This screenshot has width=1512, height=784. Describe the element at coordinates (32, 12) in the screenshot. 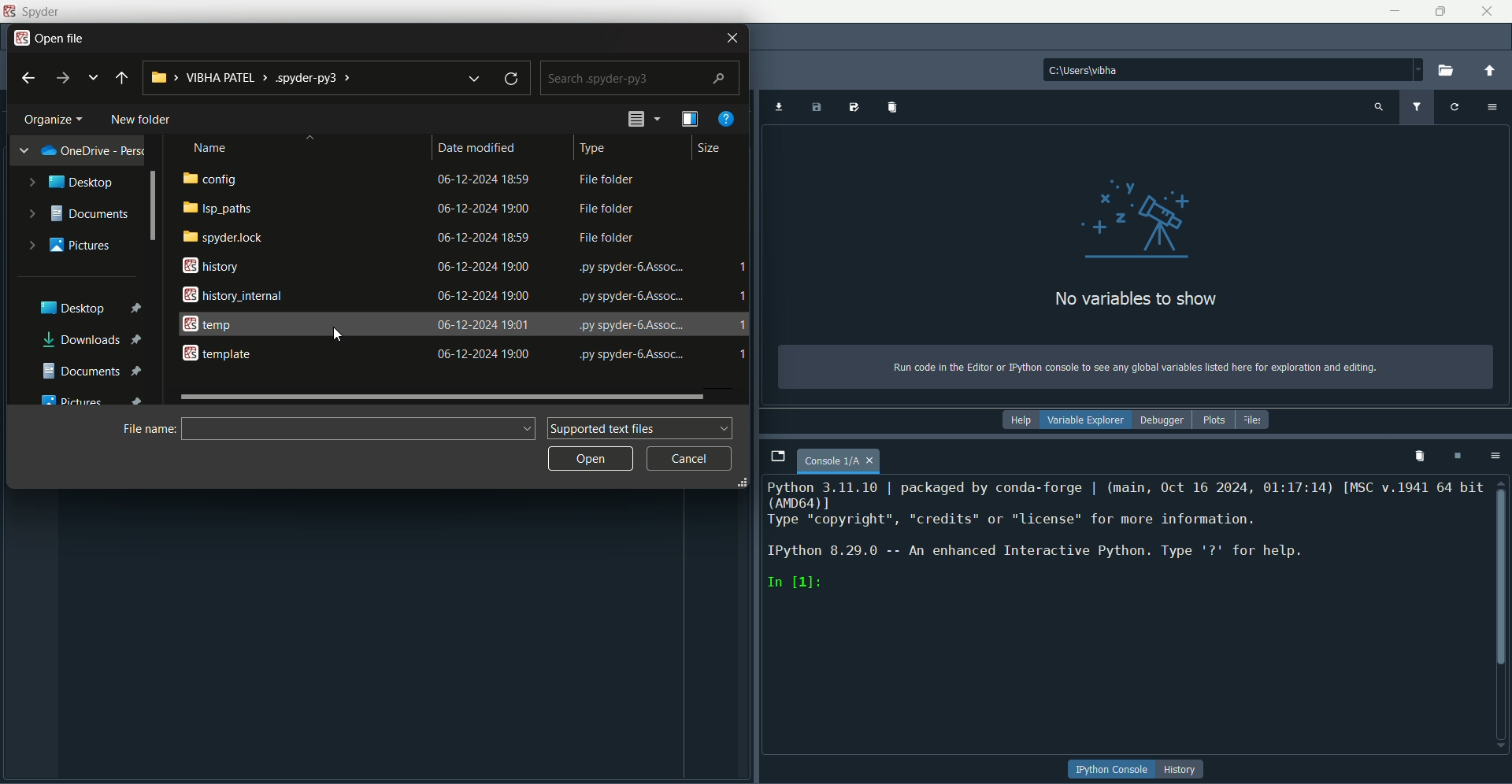

I see `name and logo` at that location.